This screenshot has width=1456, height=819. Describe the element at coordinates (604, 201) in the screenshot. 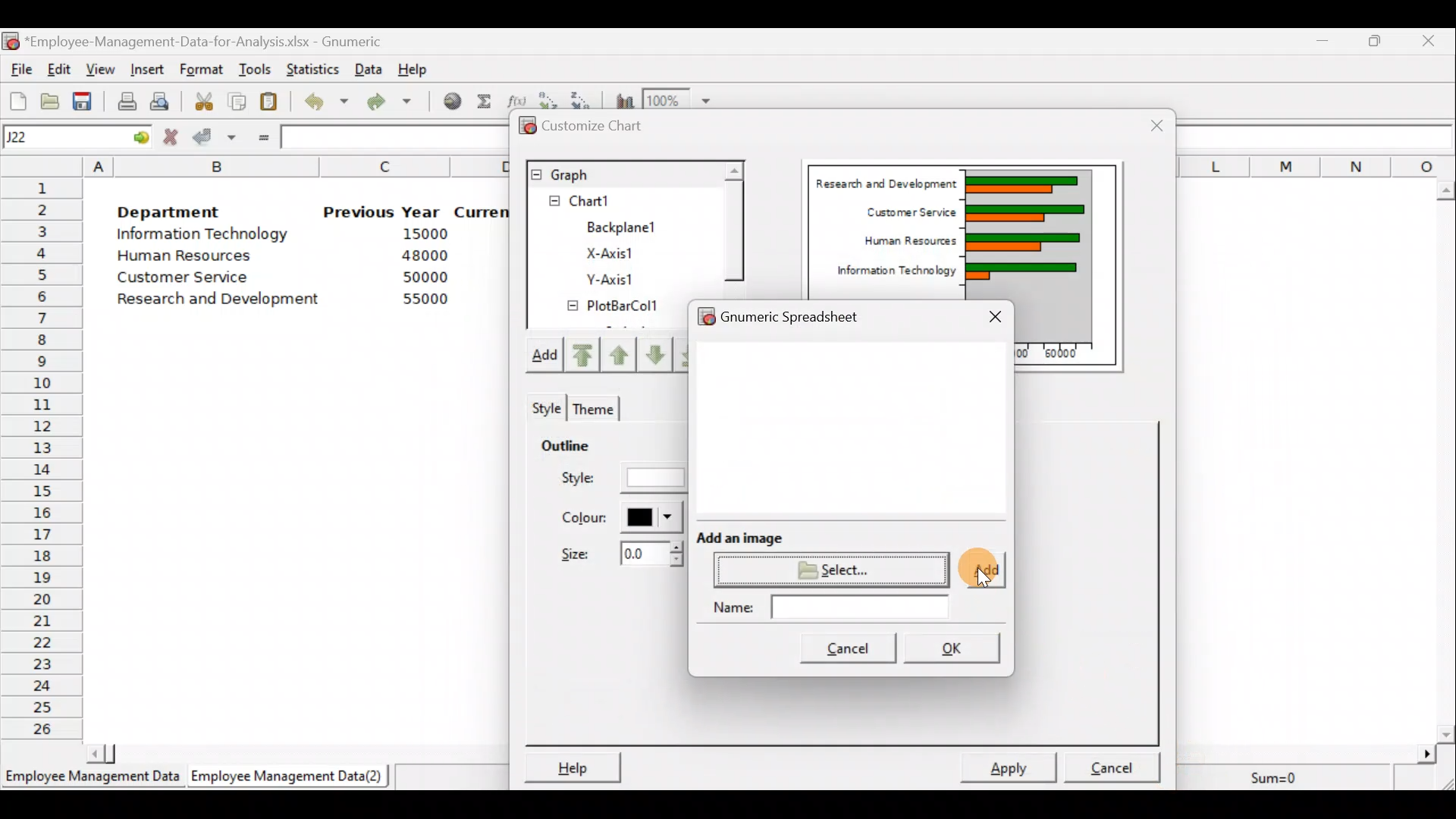

I see `Chart1` at that location.